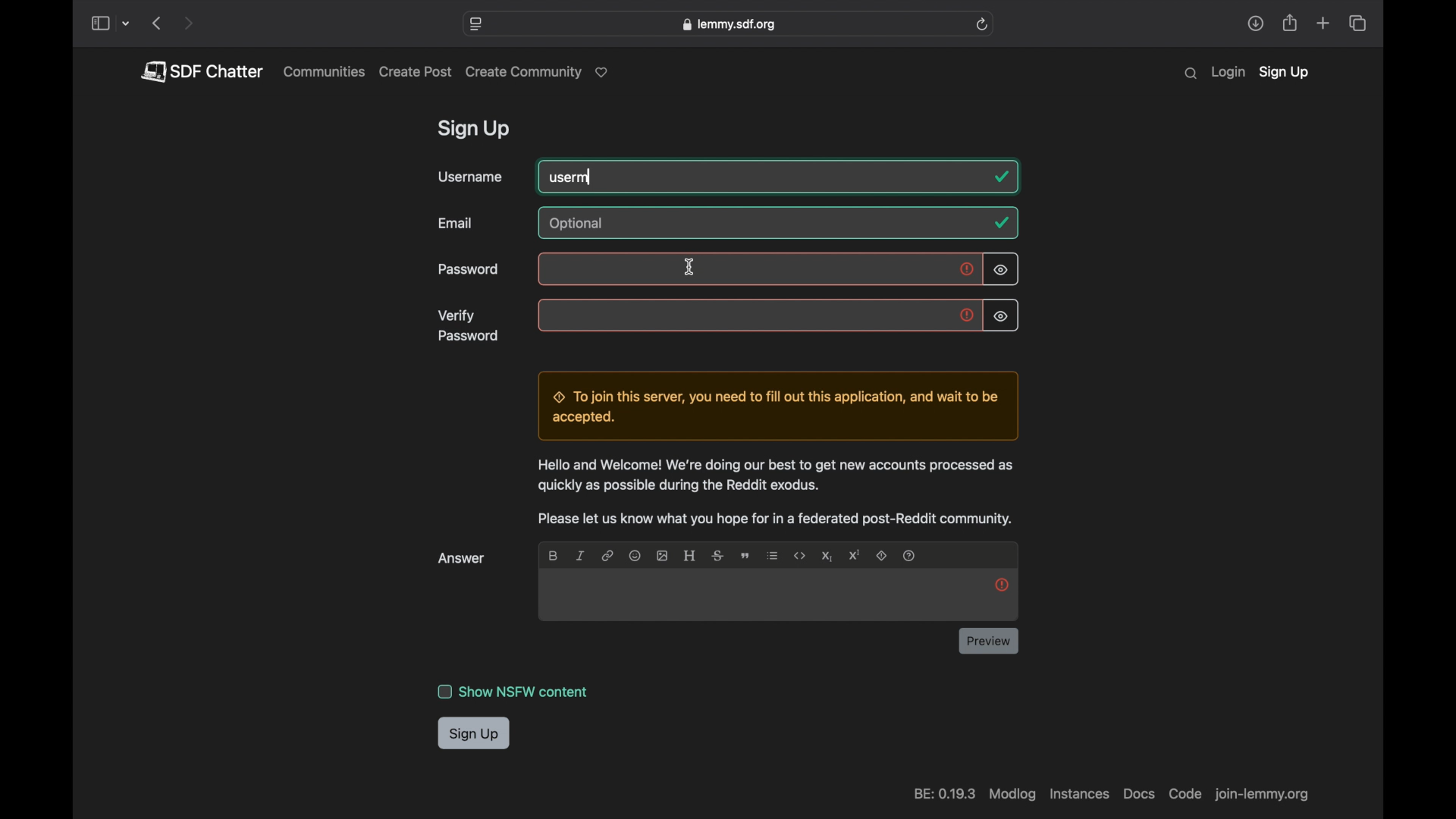  What do you see at coordinates (943, 794) in the screenshot?
I see `be 0.19.3` at bounding box center [943, 794].